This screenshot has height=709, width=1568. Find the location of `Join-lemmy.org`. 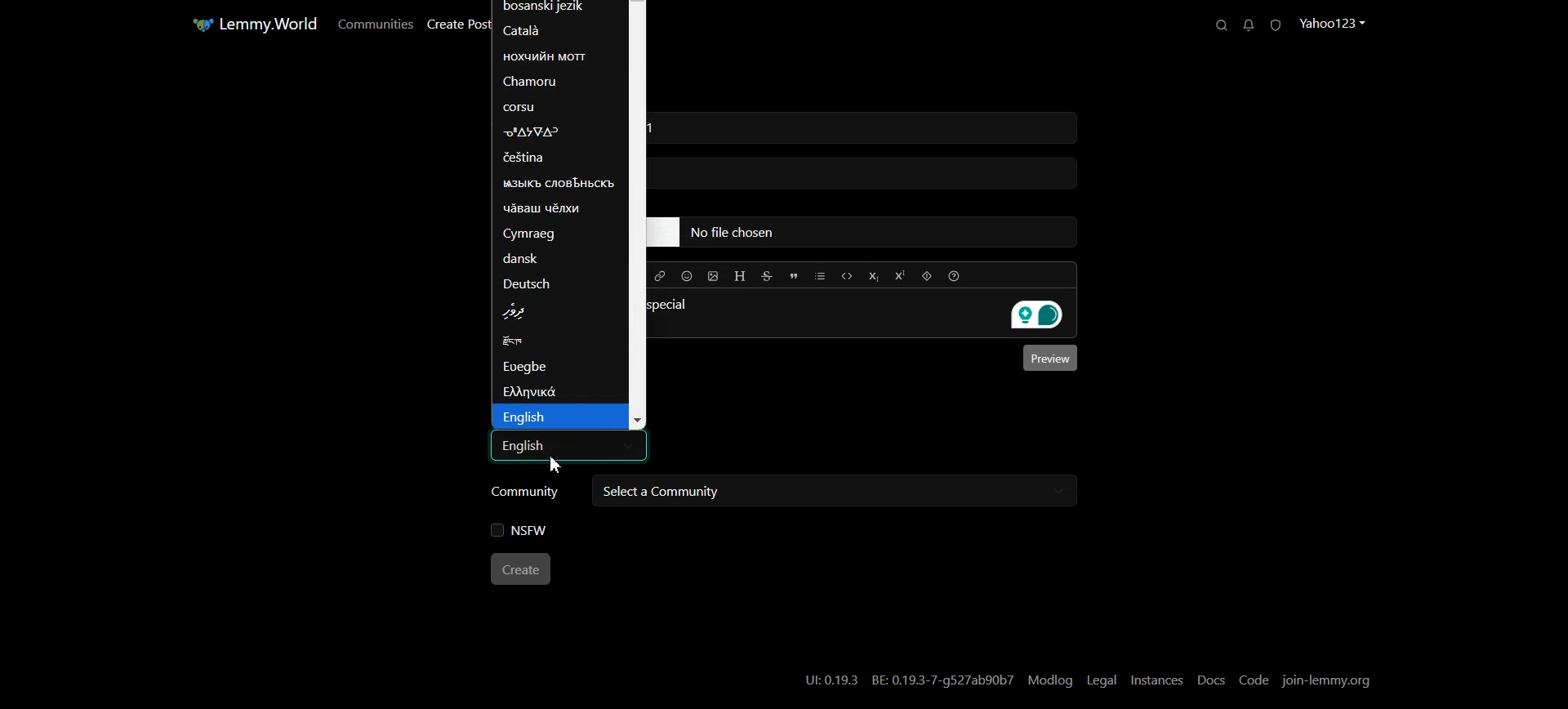

Join-lemmy.org is located at coordinates (1329, 680).